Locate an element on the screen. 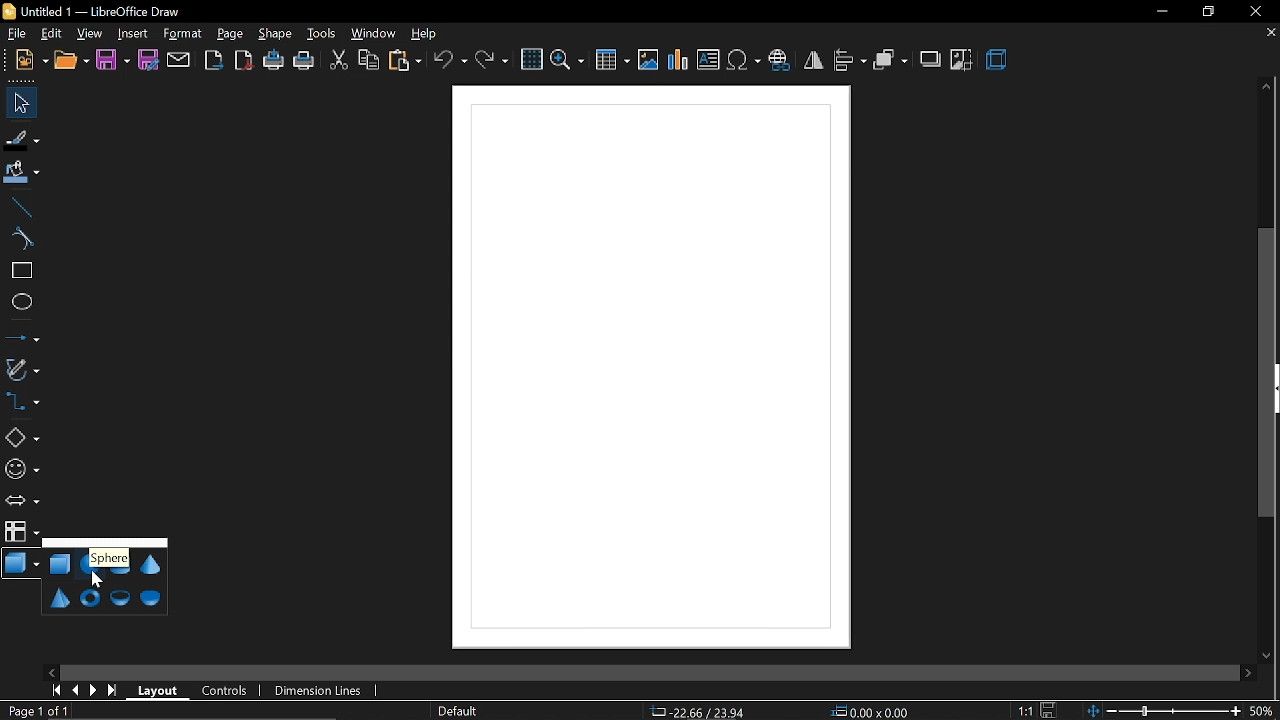 The height and width of the screenshot is (720, 1280). page style is located at coordinates (458, 711).